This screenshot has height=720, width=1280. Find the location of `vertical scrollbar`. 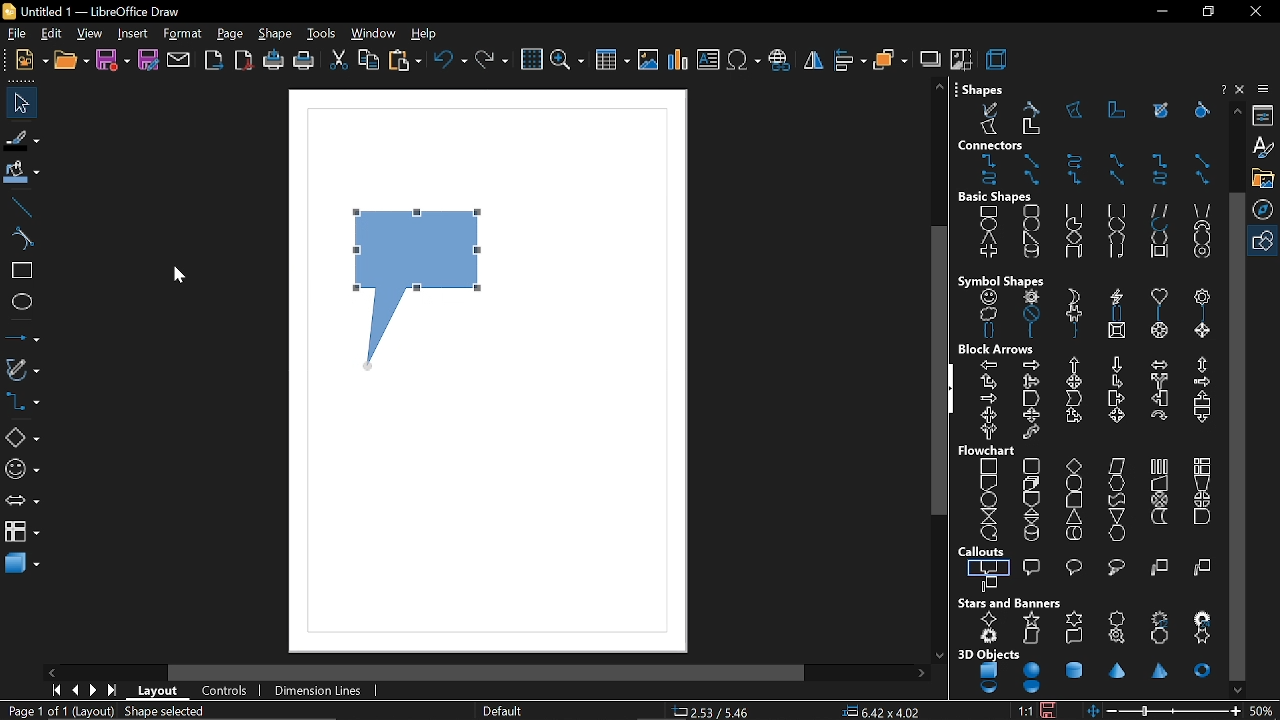

vertical scrollbar is located at coordinates (1236, 437).